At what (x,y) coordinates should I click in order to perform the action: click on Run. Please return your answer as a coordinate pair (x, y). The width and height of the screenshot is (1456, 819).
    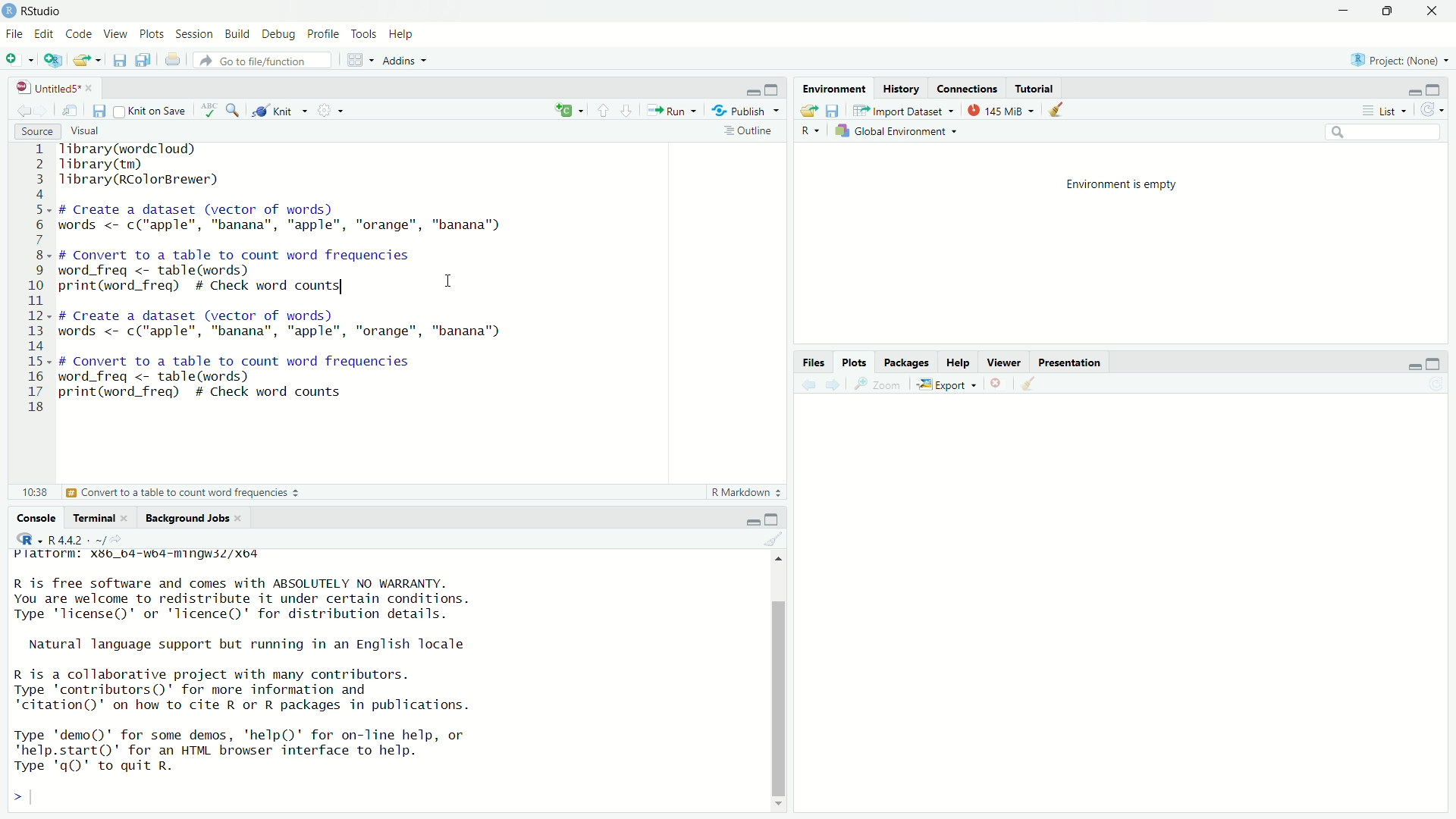
    Looking at the image, I should click on (673, 111).